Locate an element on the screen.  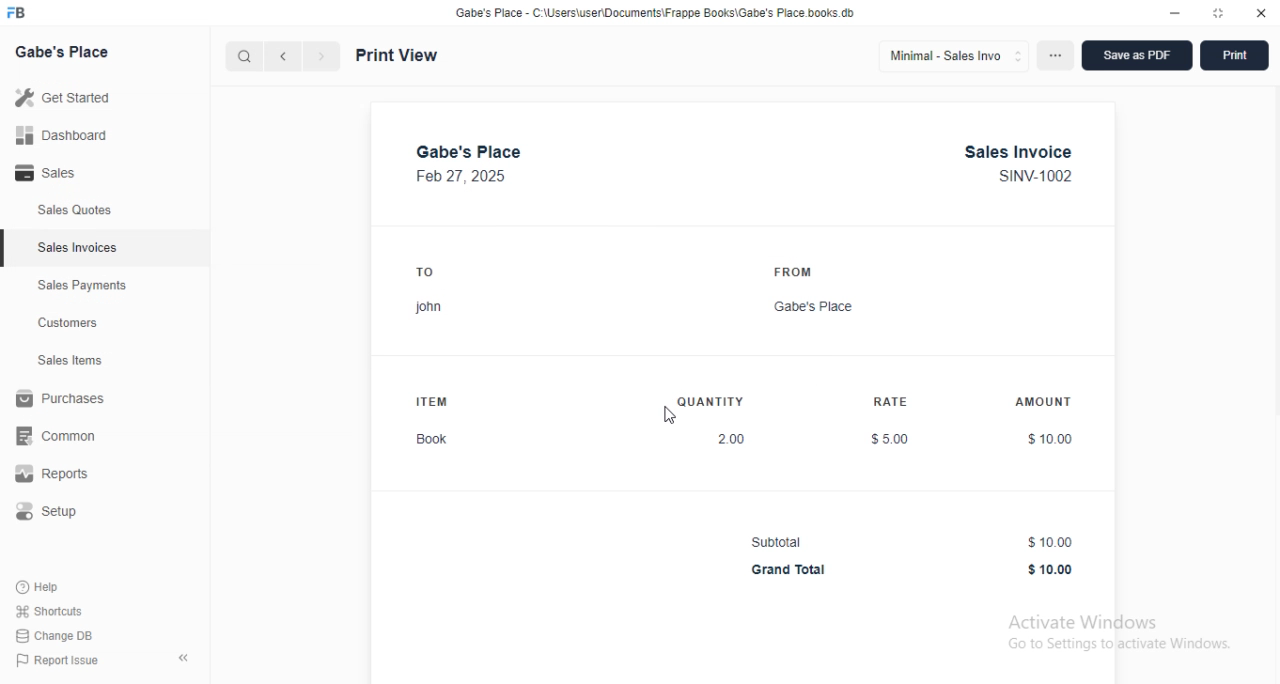
setup is located at coordinates (47, 511).